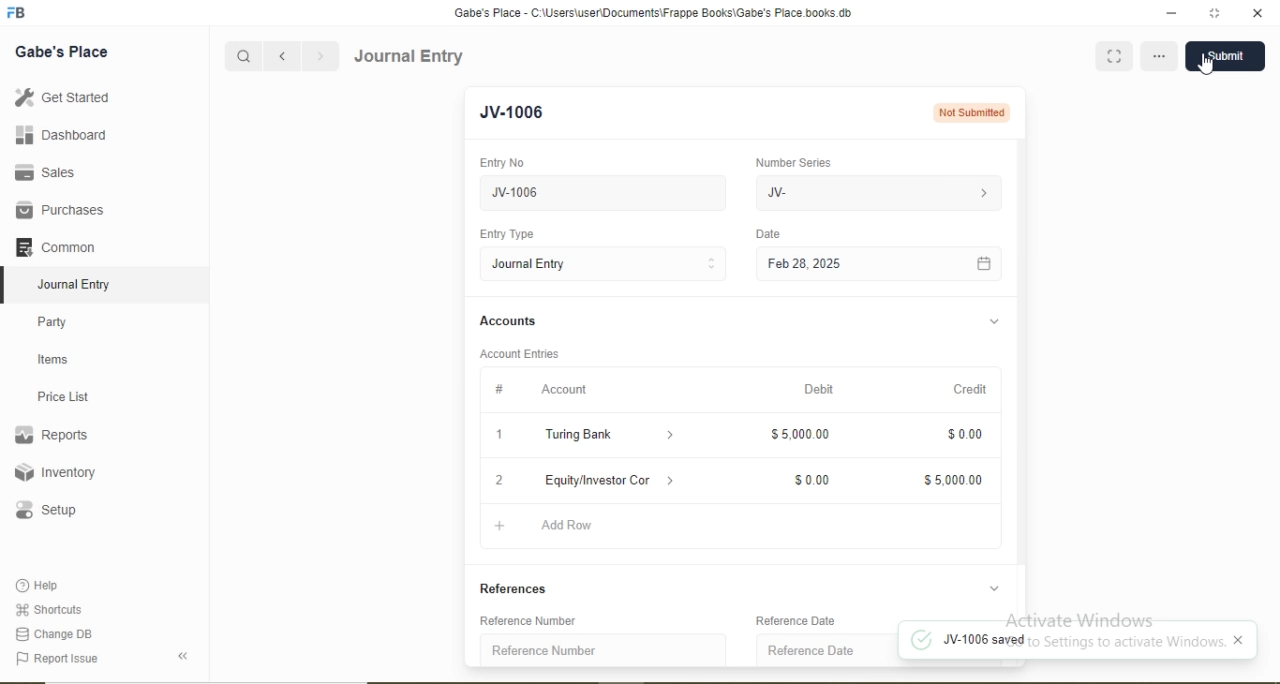 This screenshot has width=1280, height=684. Describe the element at coordinates (61, 96) in the screenshot. I see `Get Started` at that location.